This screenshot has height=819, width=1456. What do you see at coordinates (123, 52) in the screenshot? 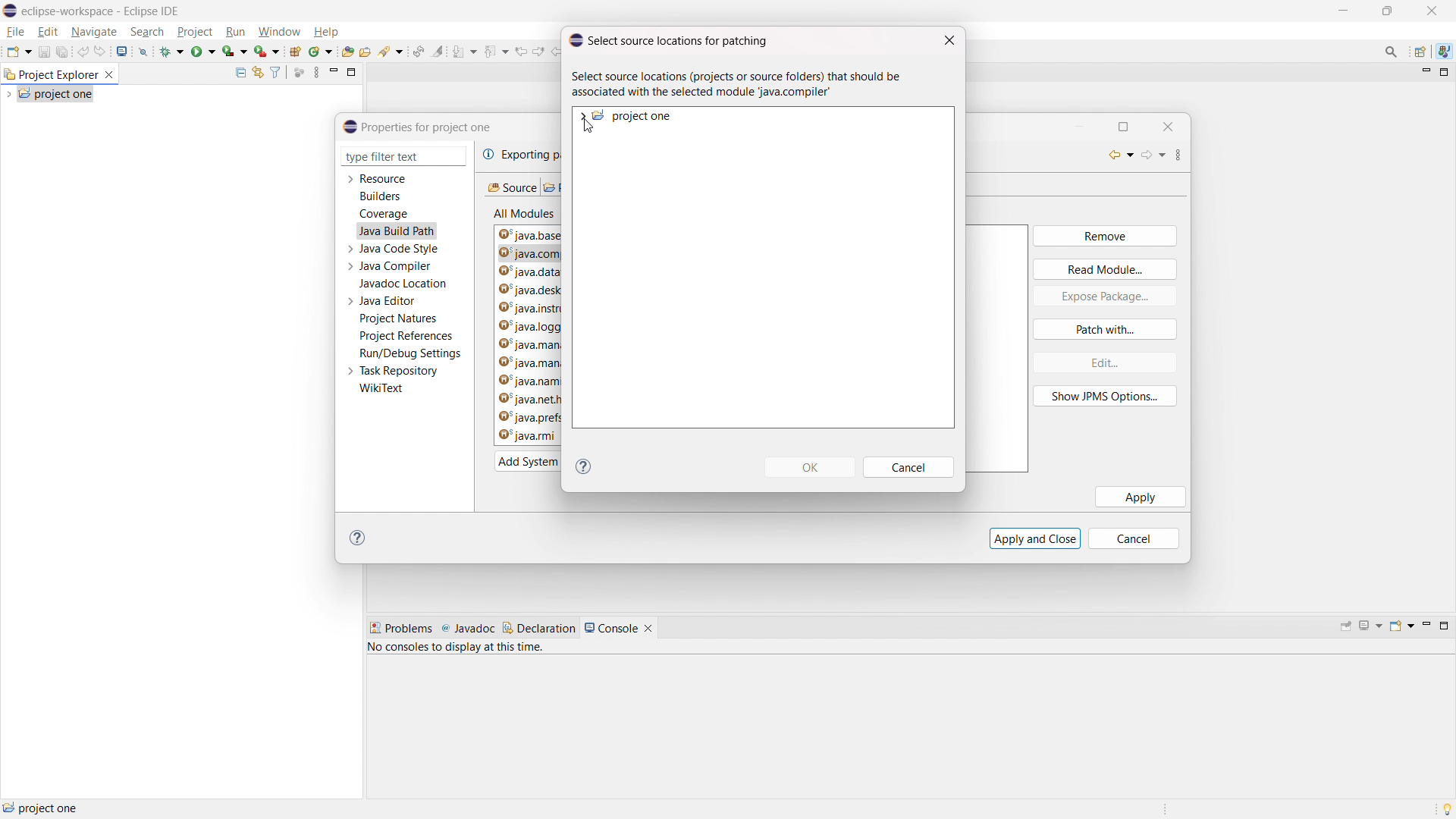
I see `open console` at bounding box center [123, 52].